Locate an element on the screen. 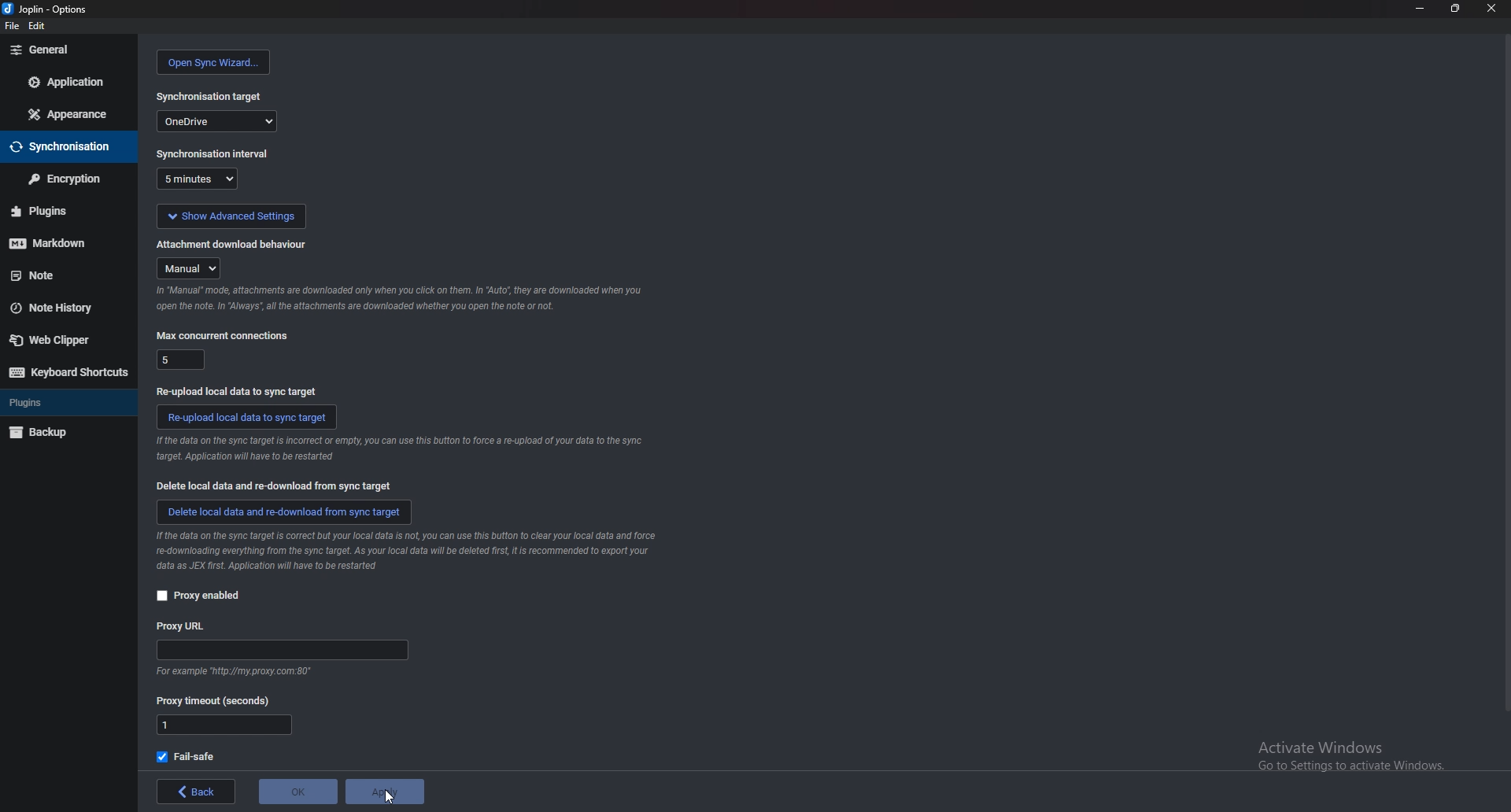  re upload local data is located at coordinates (247, 417).